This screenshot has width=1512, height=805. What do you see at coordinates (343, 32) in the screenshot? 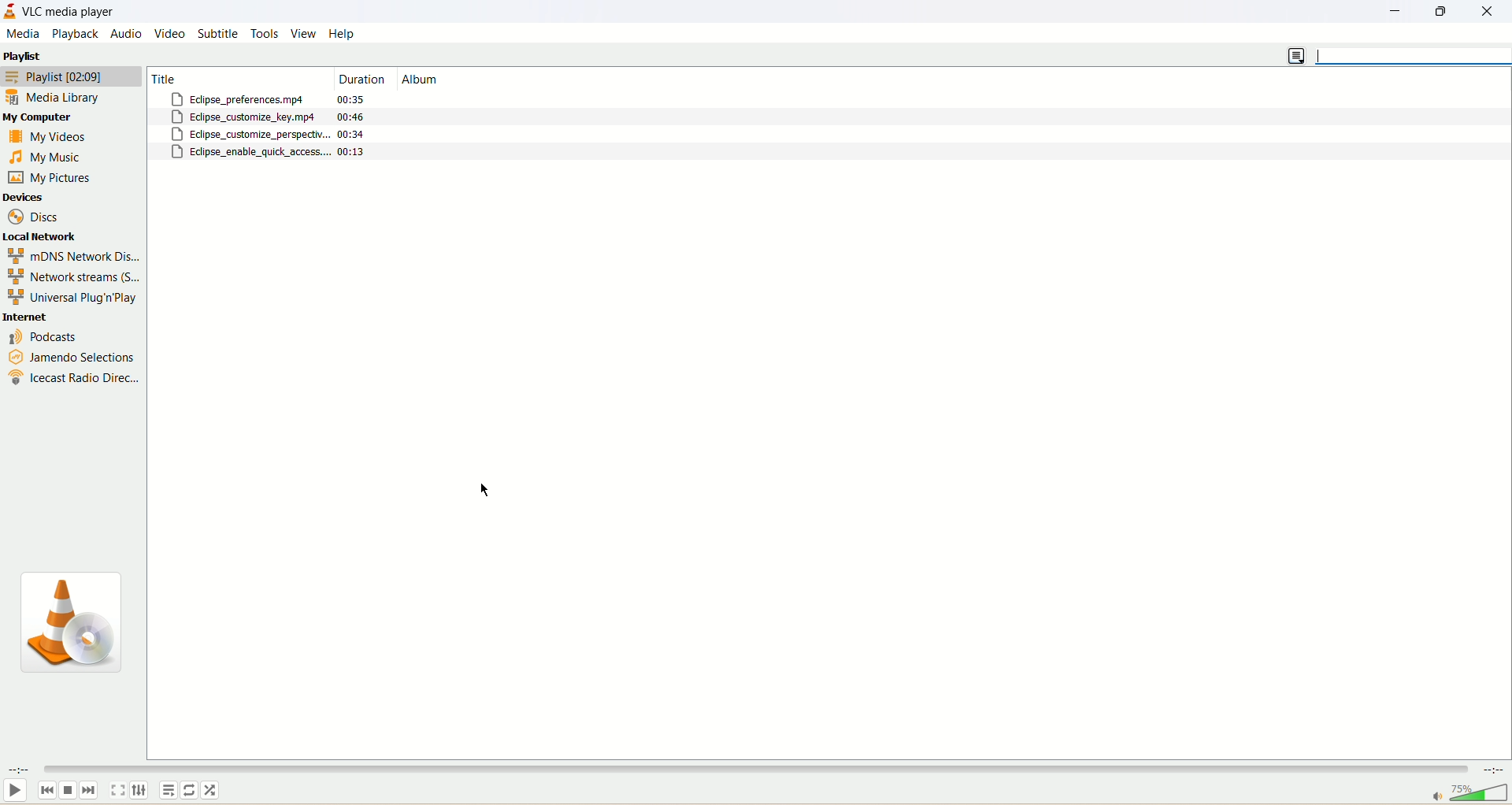
I see `help` at bounding box center [343, 32].